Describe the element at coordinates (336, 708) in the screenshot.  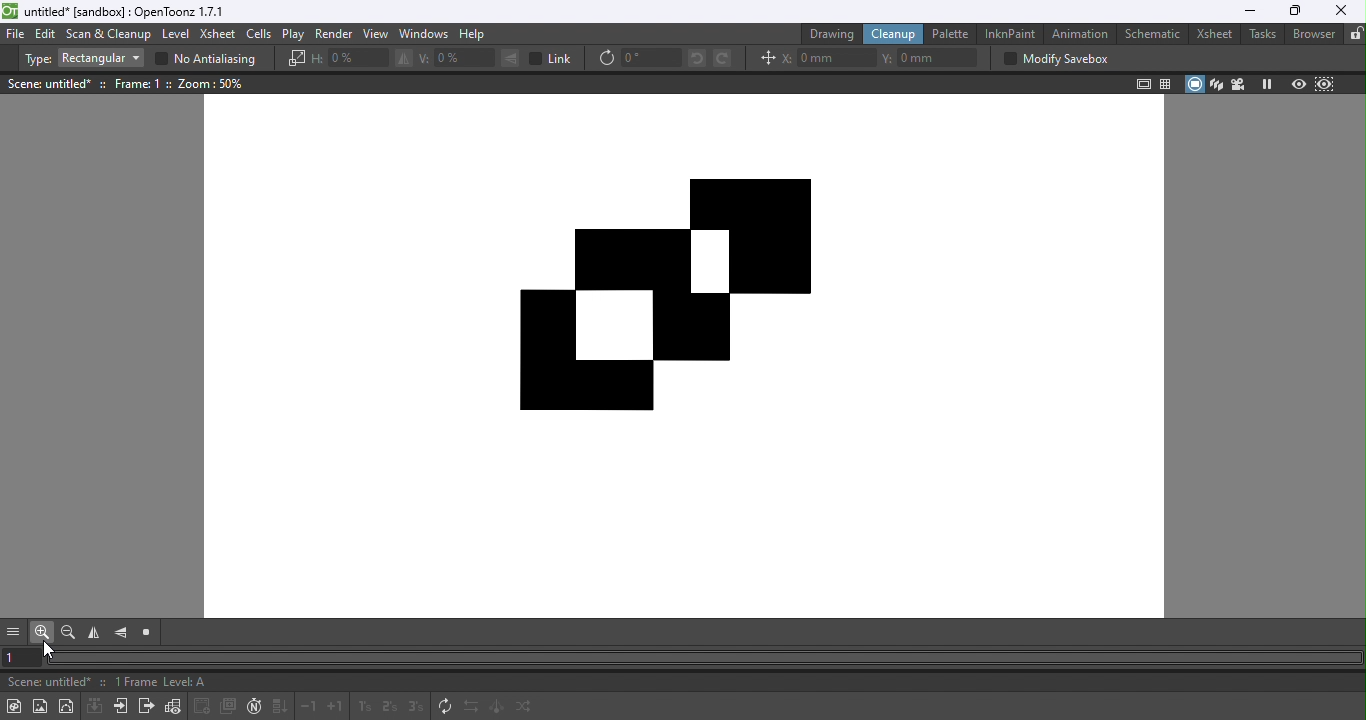
I see `Increase step` at that location.